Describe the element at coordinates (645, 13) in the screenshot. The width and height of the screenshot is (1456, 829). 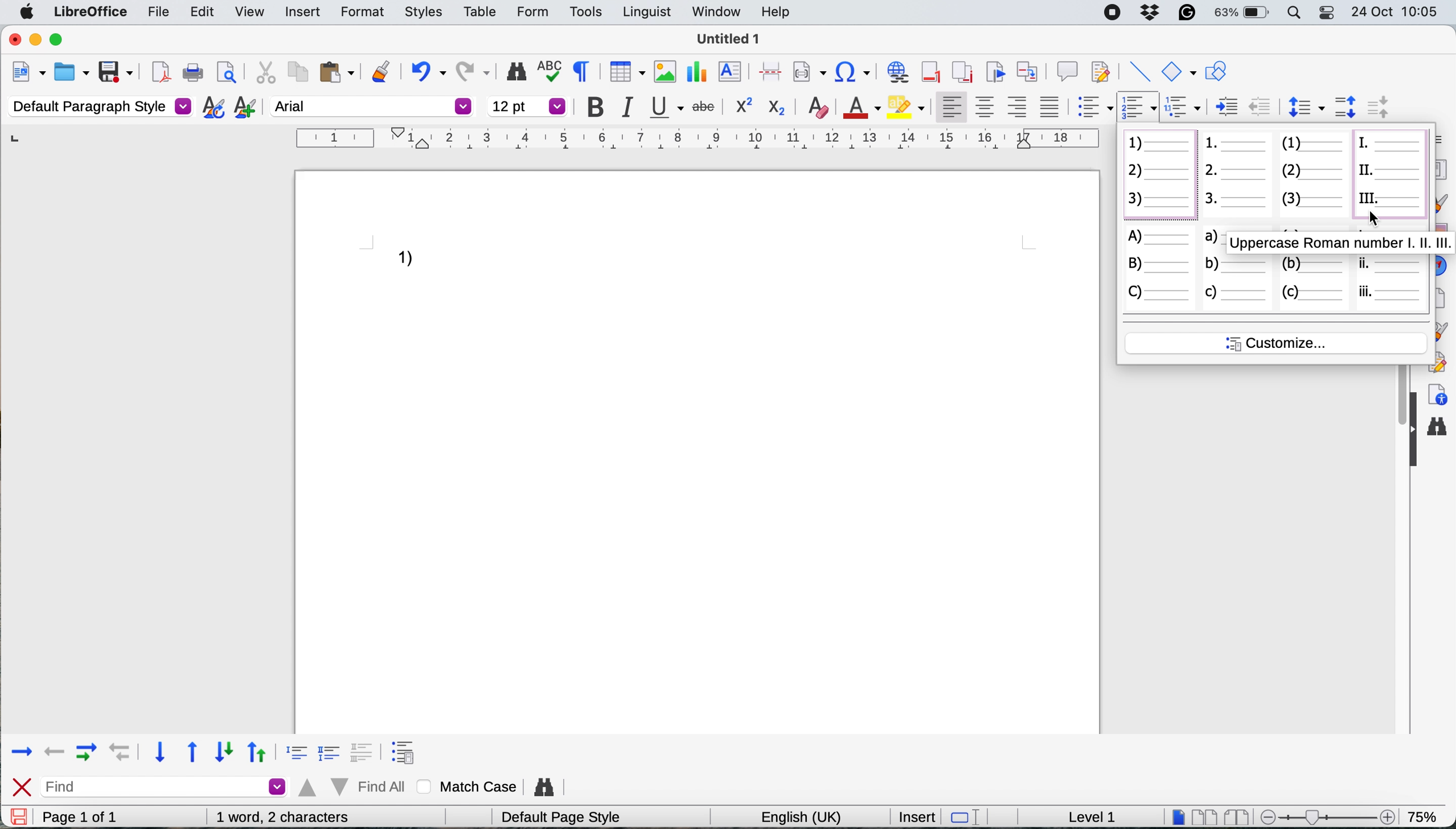
I see `linguist` at that location.